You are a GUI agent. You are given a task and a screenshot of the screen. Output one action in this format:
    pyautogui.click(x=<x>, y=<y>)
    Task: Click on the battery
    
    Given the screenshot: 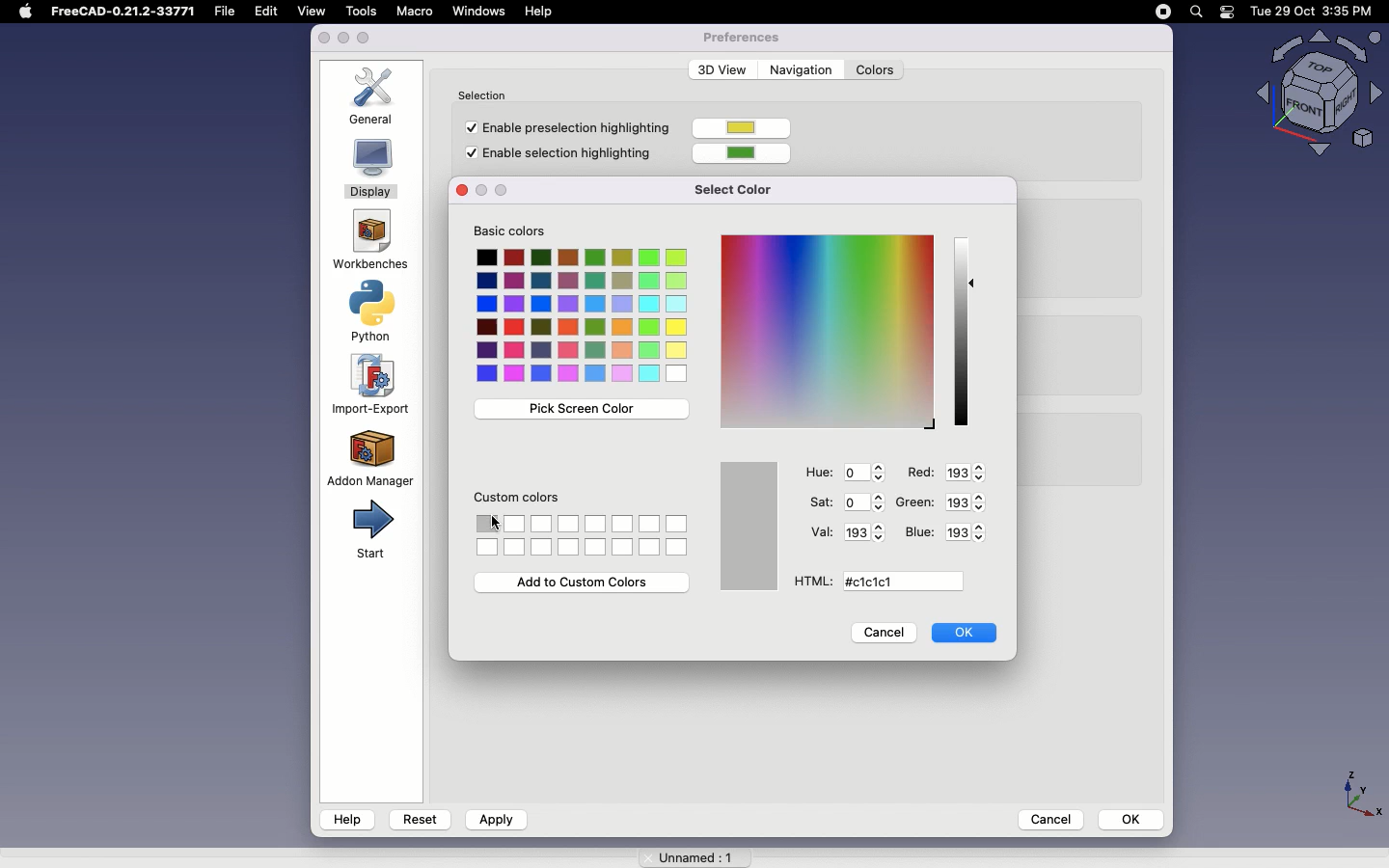 What is the action you would take?
    pyautogui.click(x=1228, y=14)
    